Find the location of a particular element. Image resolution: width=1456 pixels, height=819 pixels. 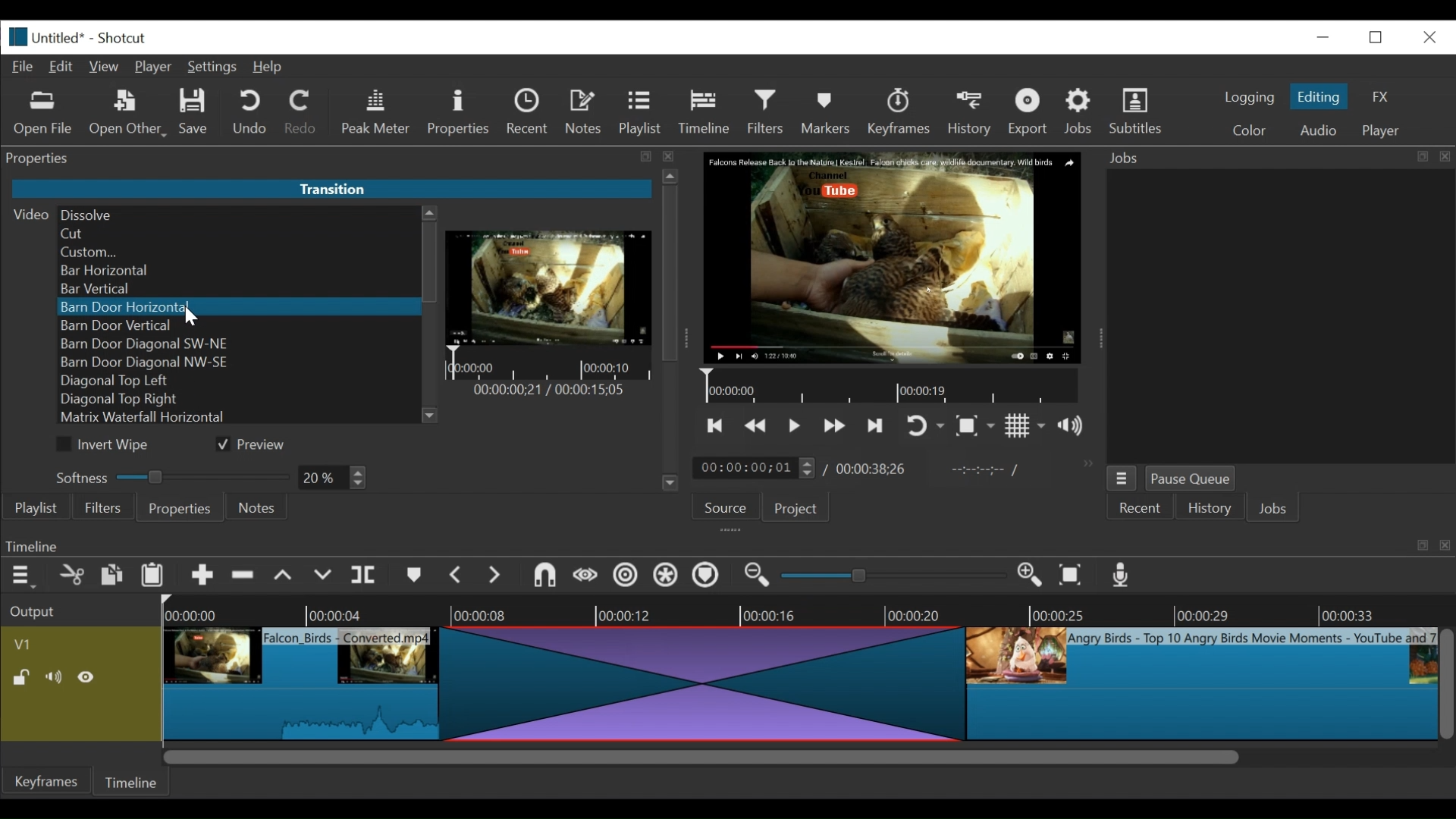

Scroll up is located at coordinates (430, 214).